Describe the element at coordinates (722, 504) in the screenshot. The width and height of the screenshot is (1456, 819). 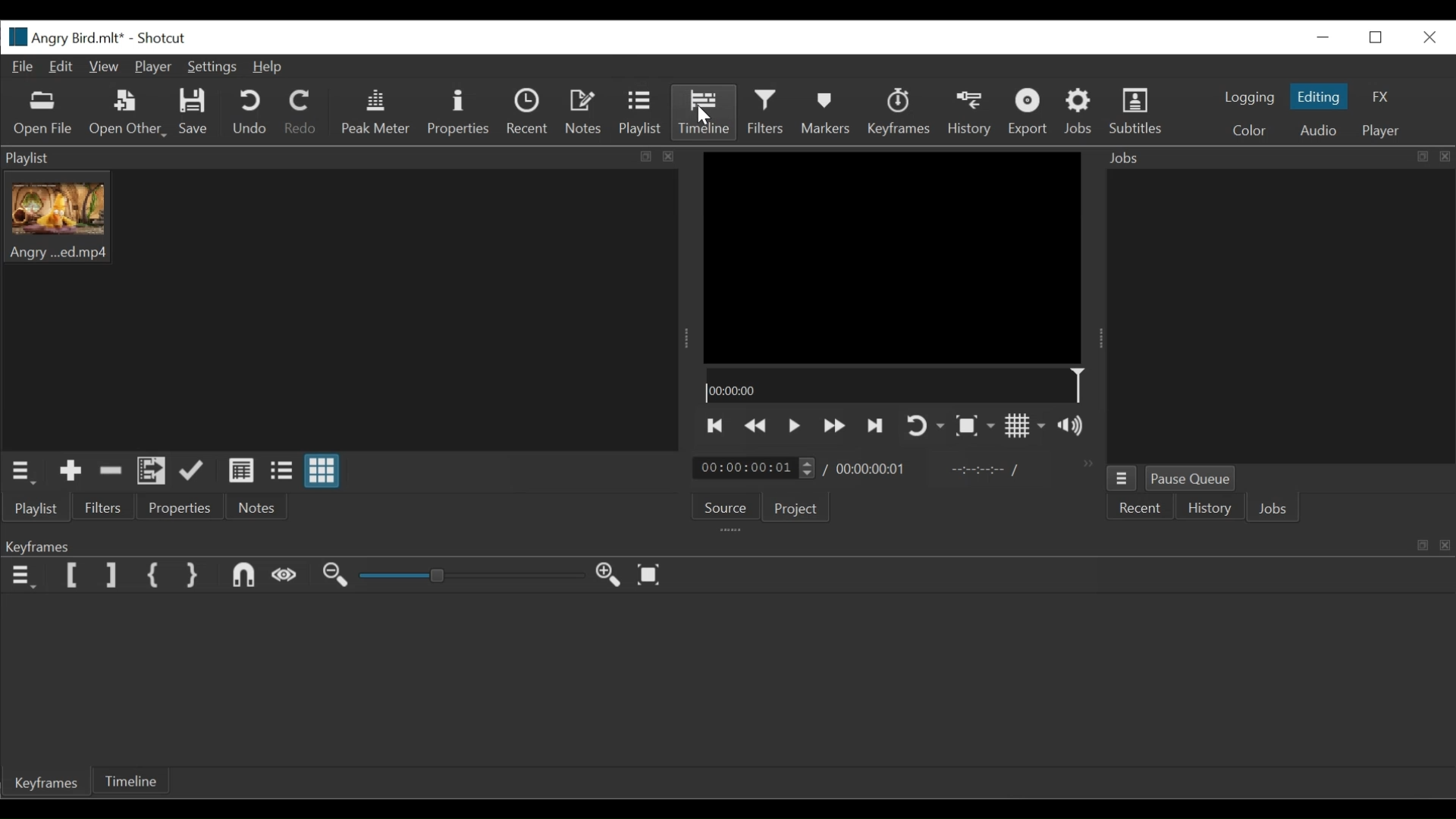
I see `Source` at that location.